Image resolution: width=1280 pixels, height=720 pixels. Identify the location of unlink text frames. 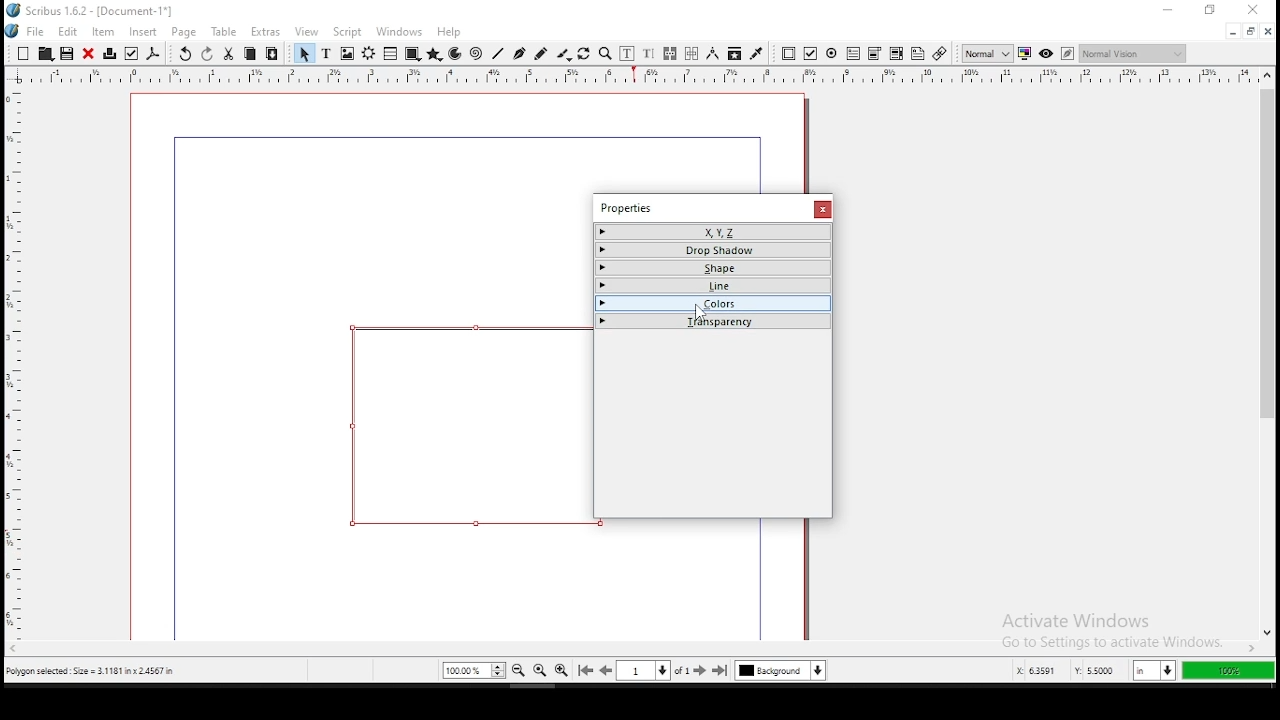
(693, 54).